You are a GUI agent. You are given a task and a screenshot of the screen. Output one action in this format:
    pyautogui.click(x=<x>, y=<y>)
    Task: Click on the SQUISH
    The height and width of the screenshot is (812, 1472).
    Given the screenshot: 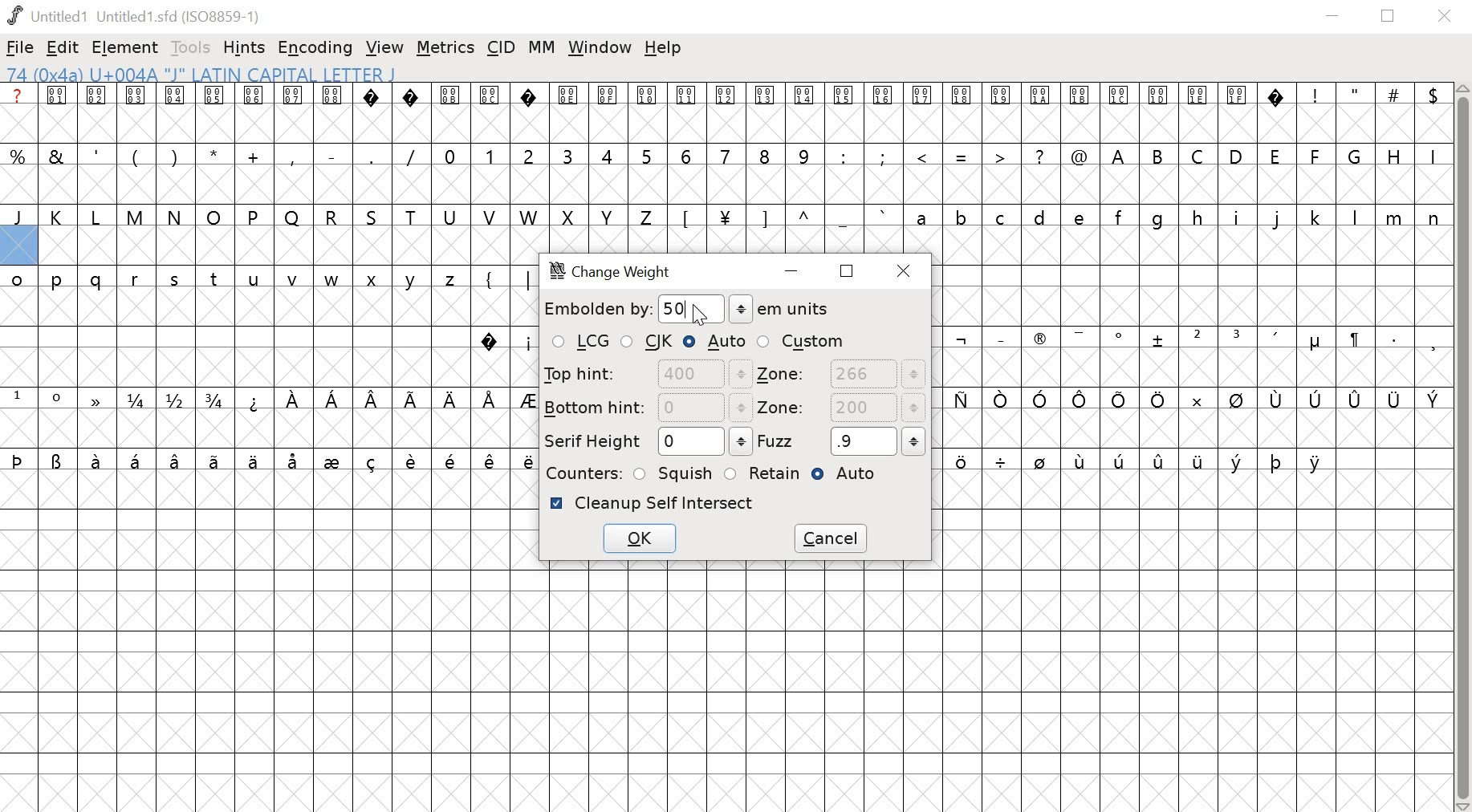 What is the action you would take?
    pyautogui.click(x=674, y=472)
    